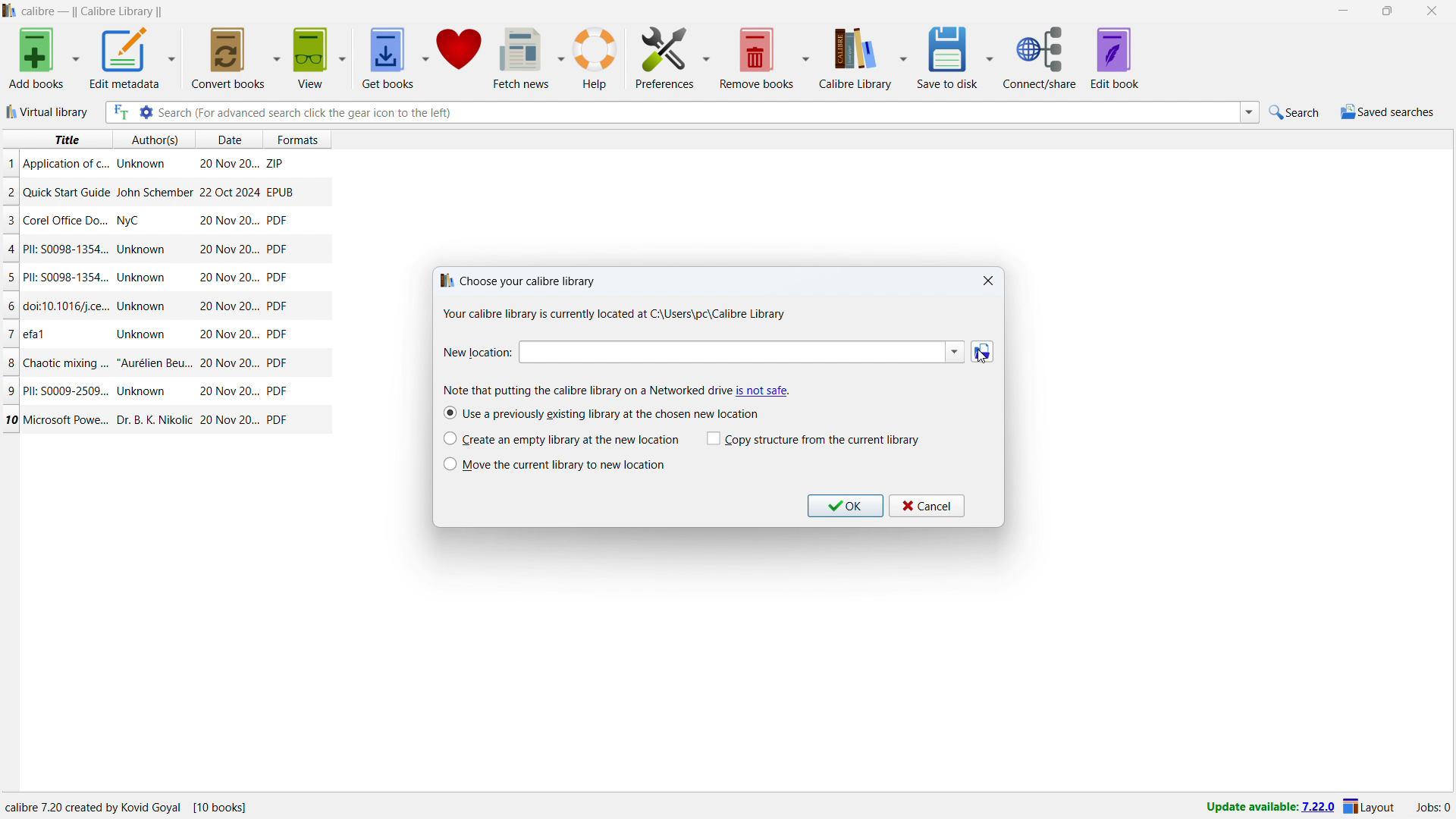  Describe the element at coordinates (67, 277) in the screenshot. I see `Title` at that location.